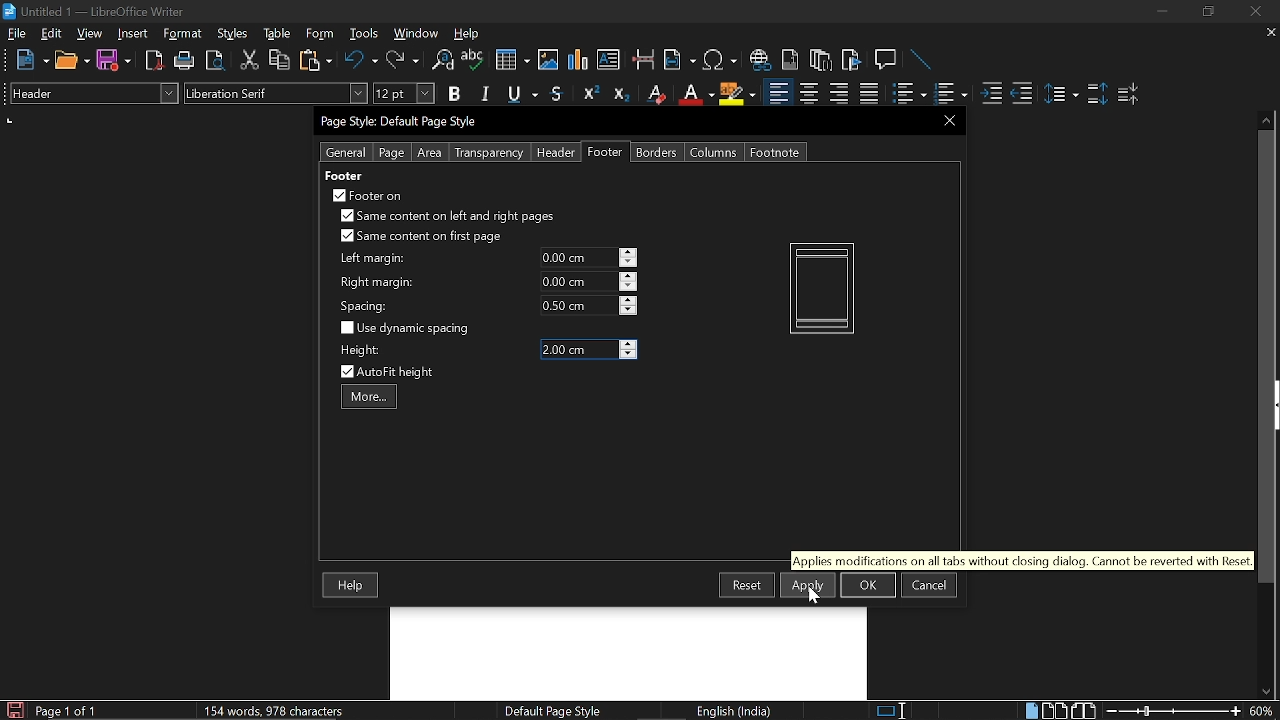  What do you see at coordinates (790, 60) in the screenshot?
I see `Insert endnote` at bounding box center [790, 60].